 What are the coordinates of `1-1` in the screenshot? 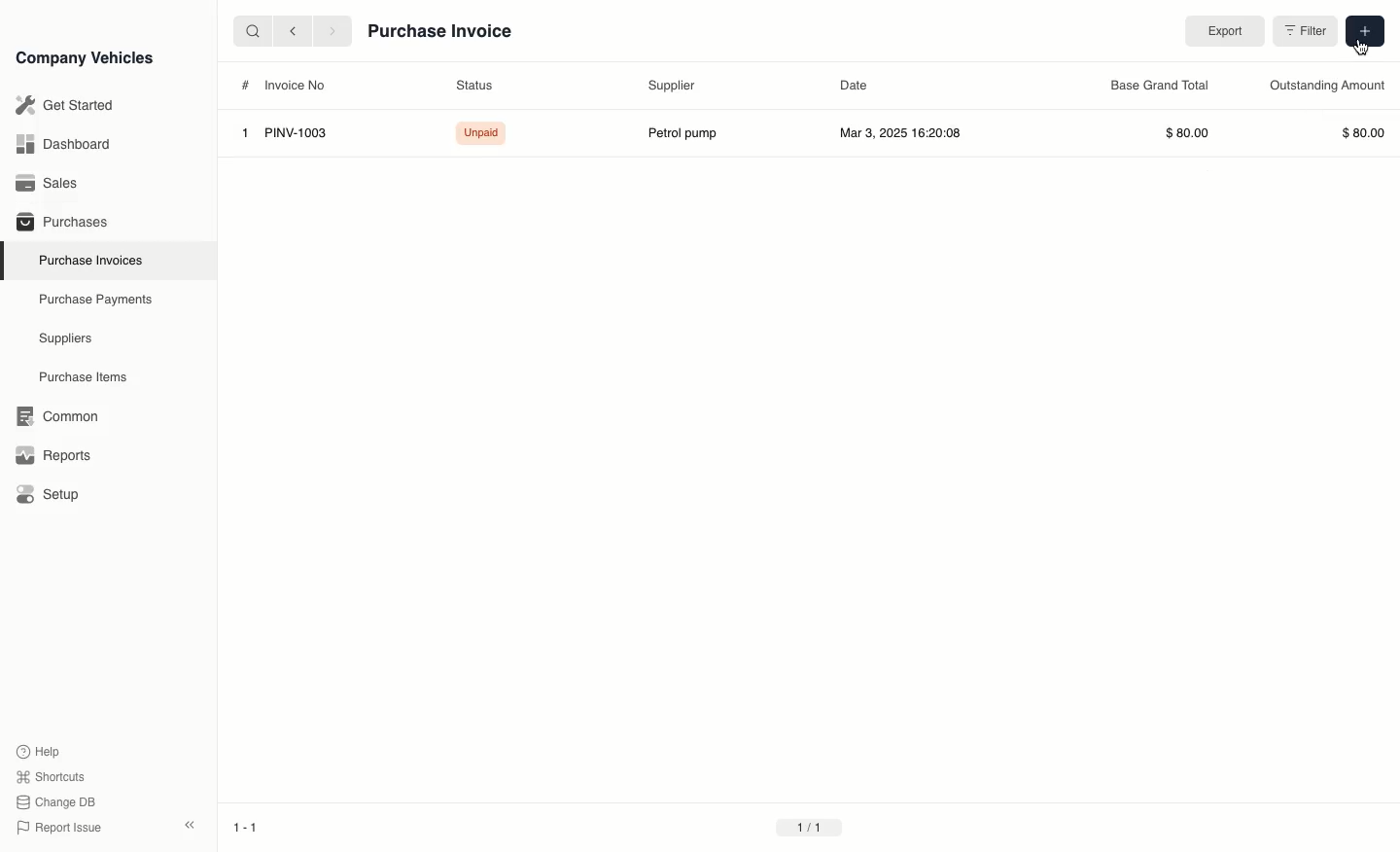 It's located at (249, 830).